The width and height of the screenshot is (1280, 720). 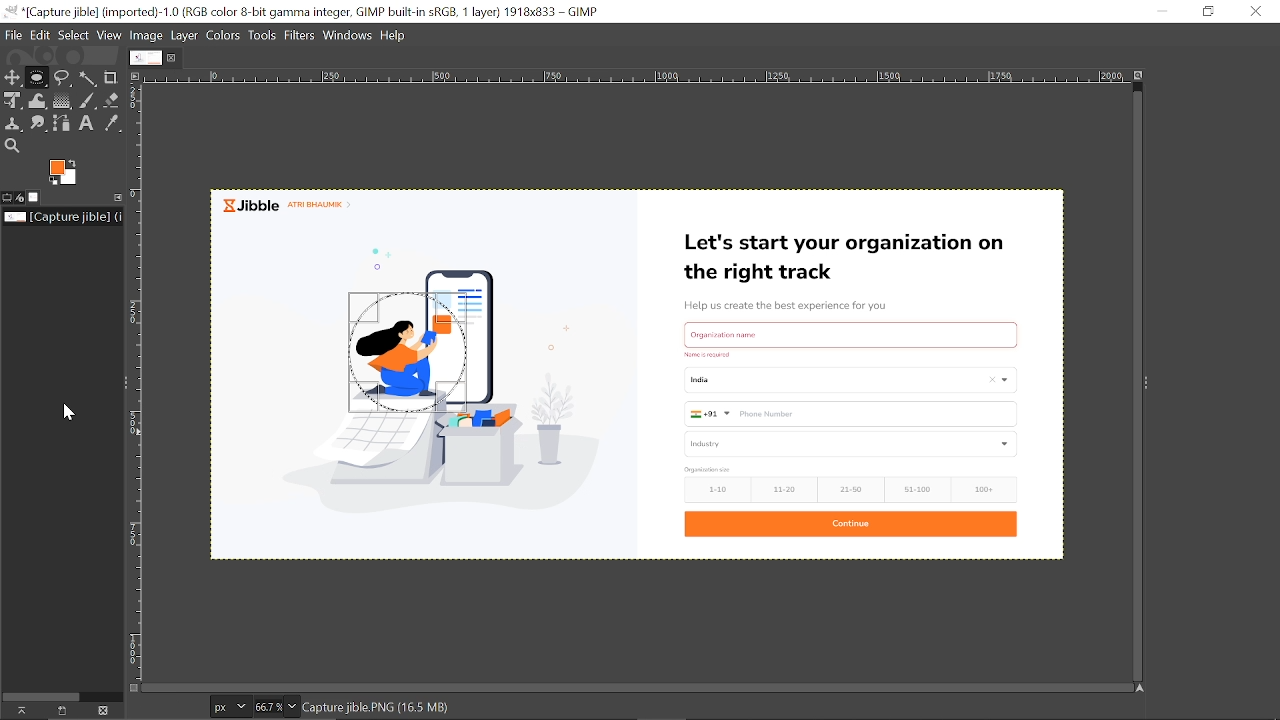 I want to click on Rdownestore , so click(x=1210, y=11).